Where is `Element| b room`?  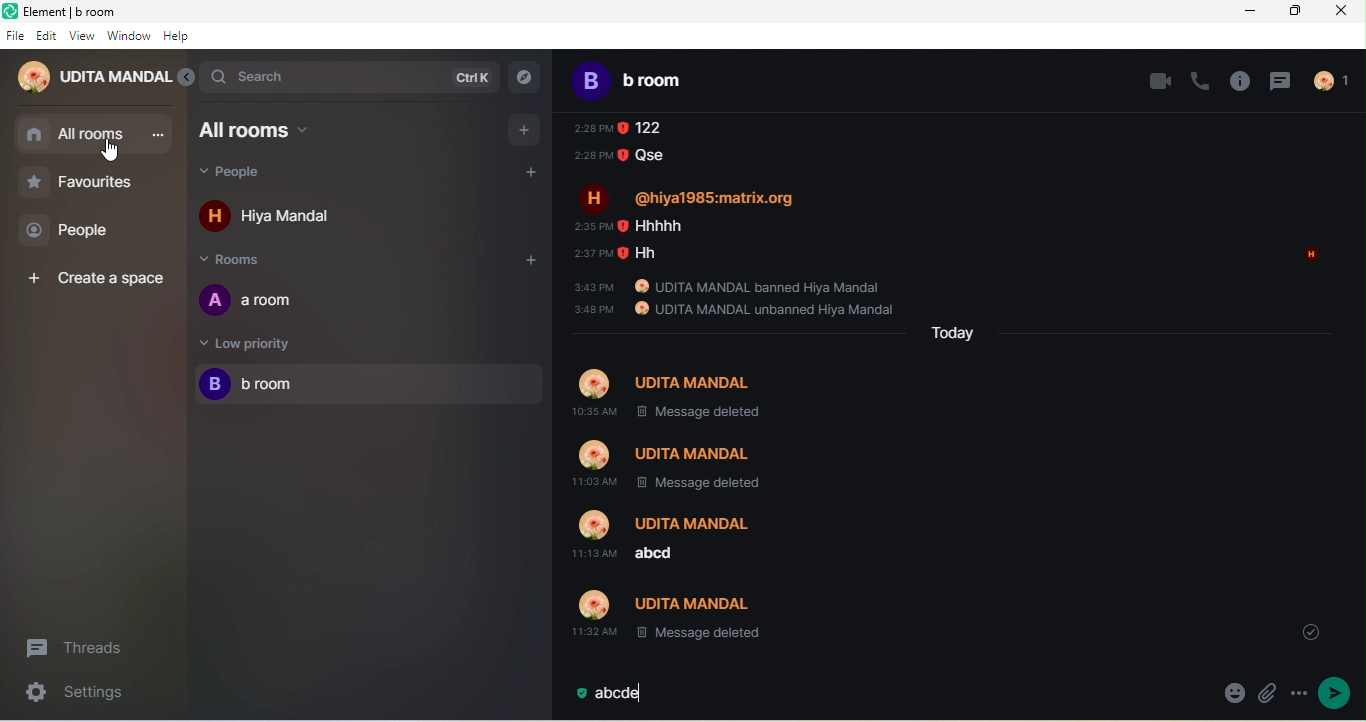 Element| b room is located at coordinates (93, 11).